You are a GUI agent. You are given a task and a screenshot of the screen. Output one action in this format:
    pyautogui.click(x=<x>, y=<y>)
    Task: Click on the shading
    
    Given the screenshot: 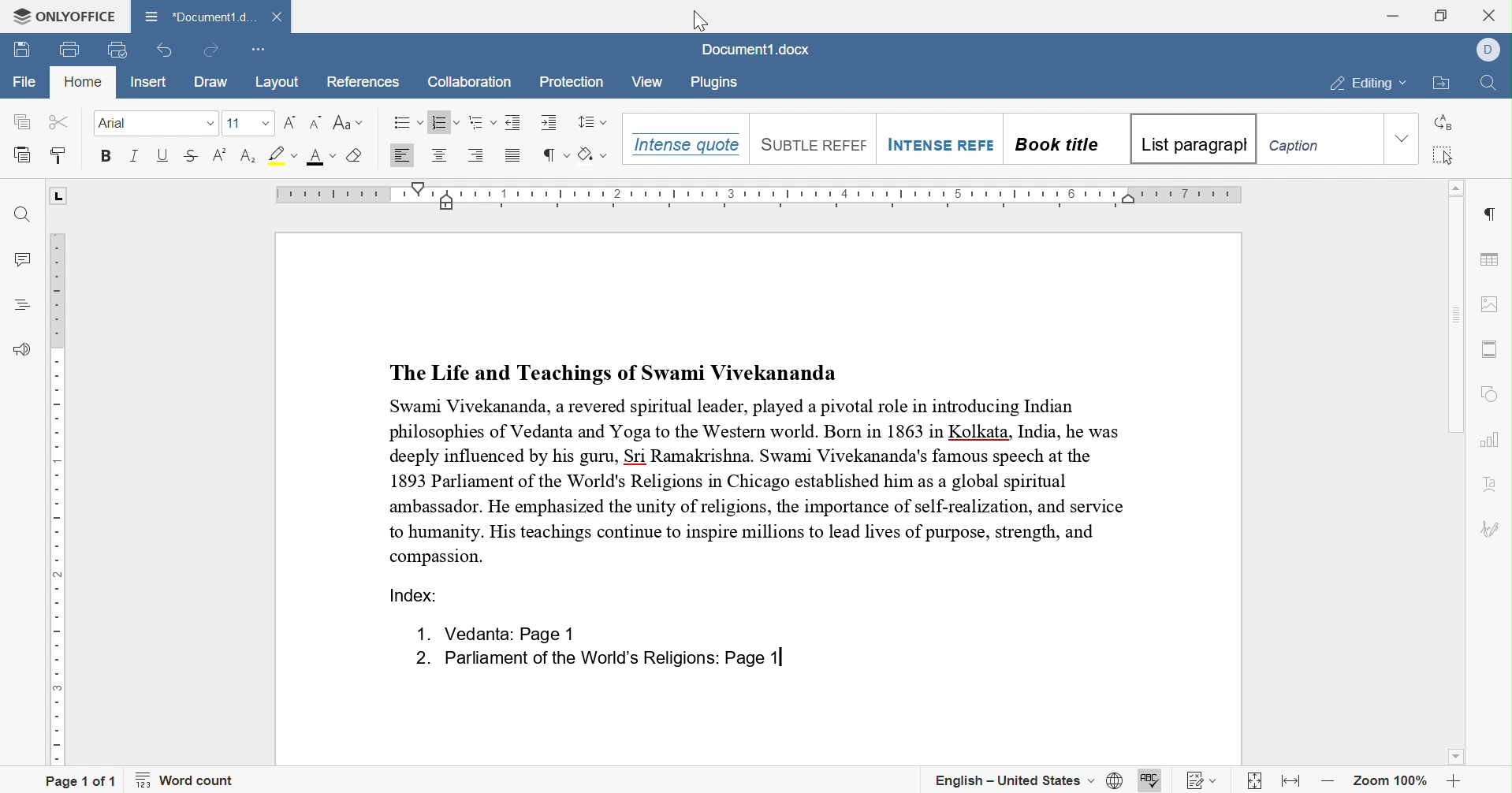 What is the action you would take?
    pyautogui.click(x=594, y=155)
    